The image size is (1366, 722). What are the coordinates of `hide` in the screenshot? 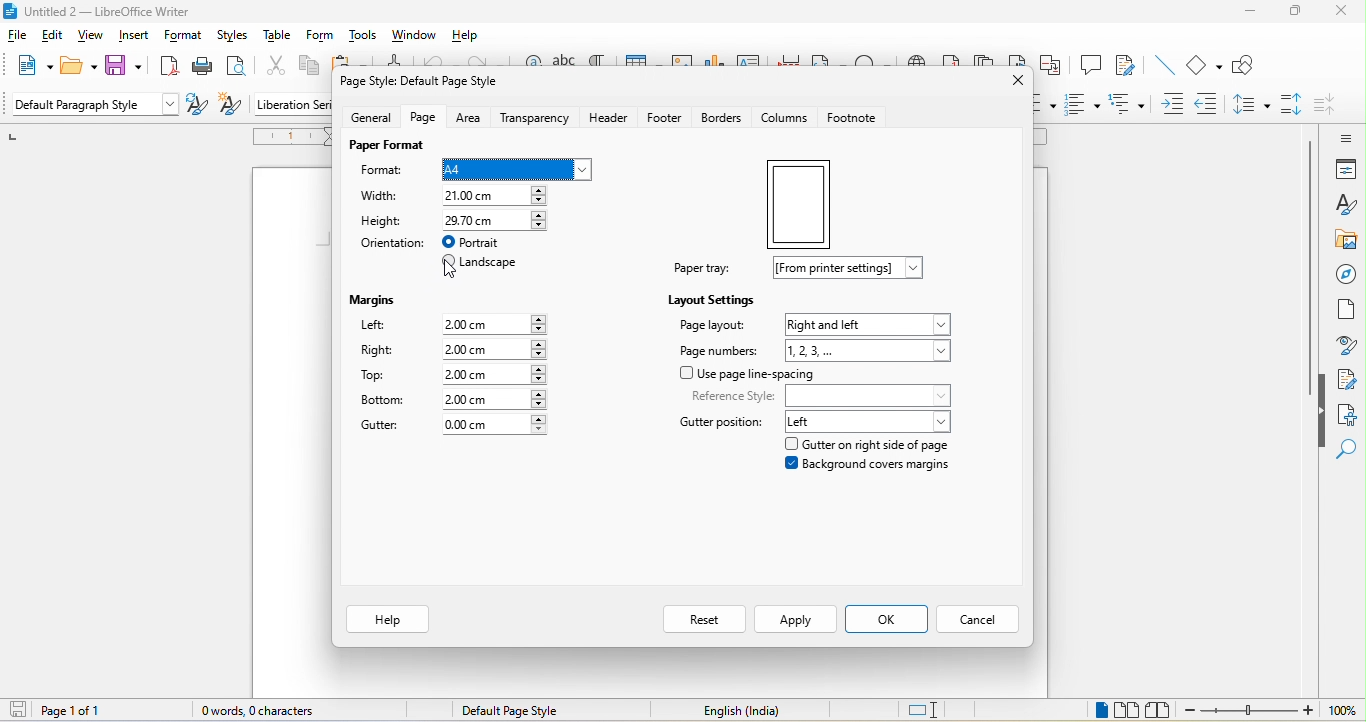 It's located at (1322, 411).